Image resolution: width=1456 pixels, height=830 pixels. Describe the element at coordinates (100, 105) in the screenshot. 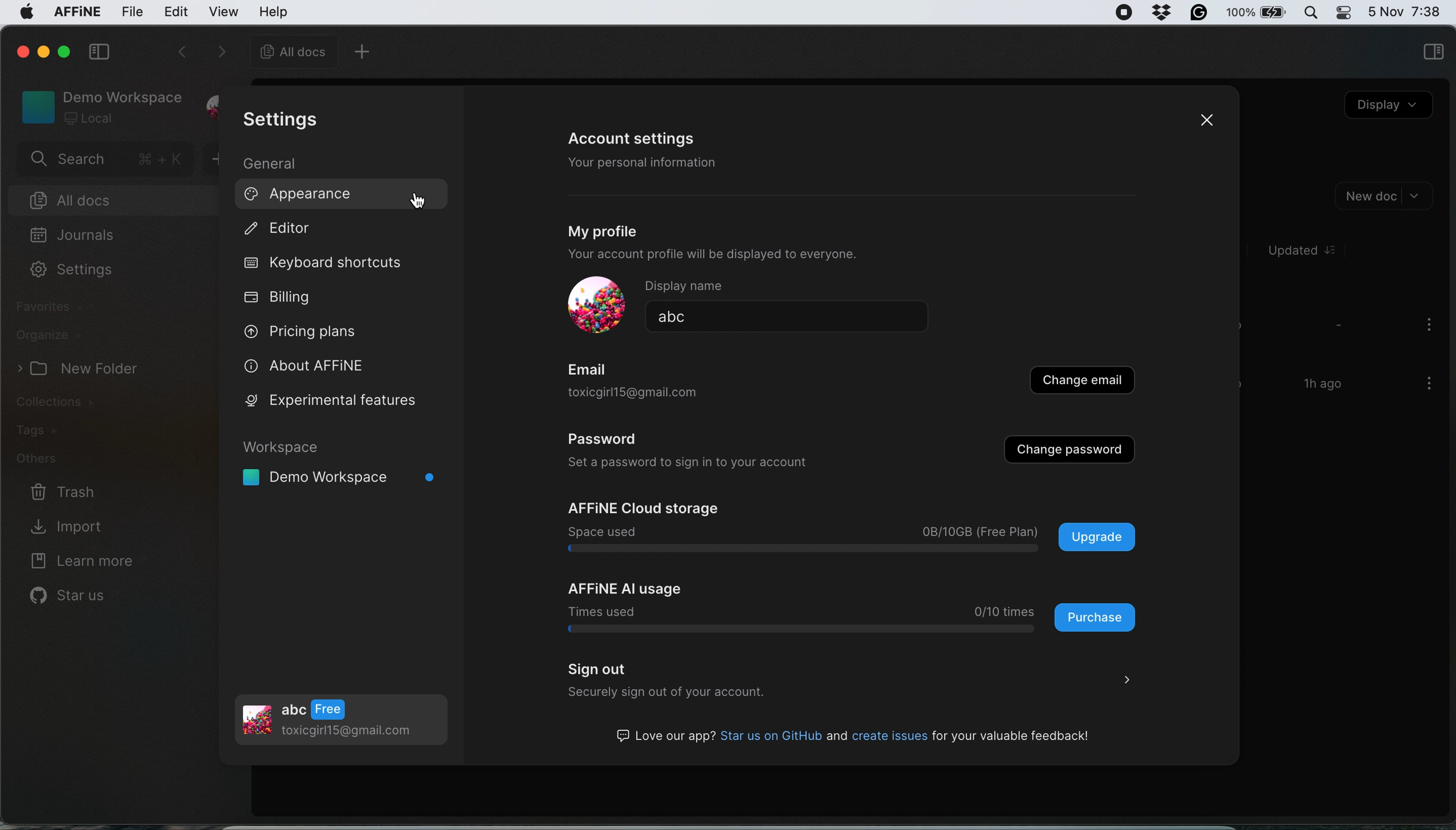

I see `workspace` at that location.